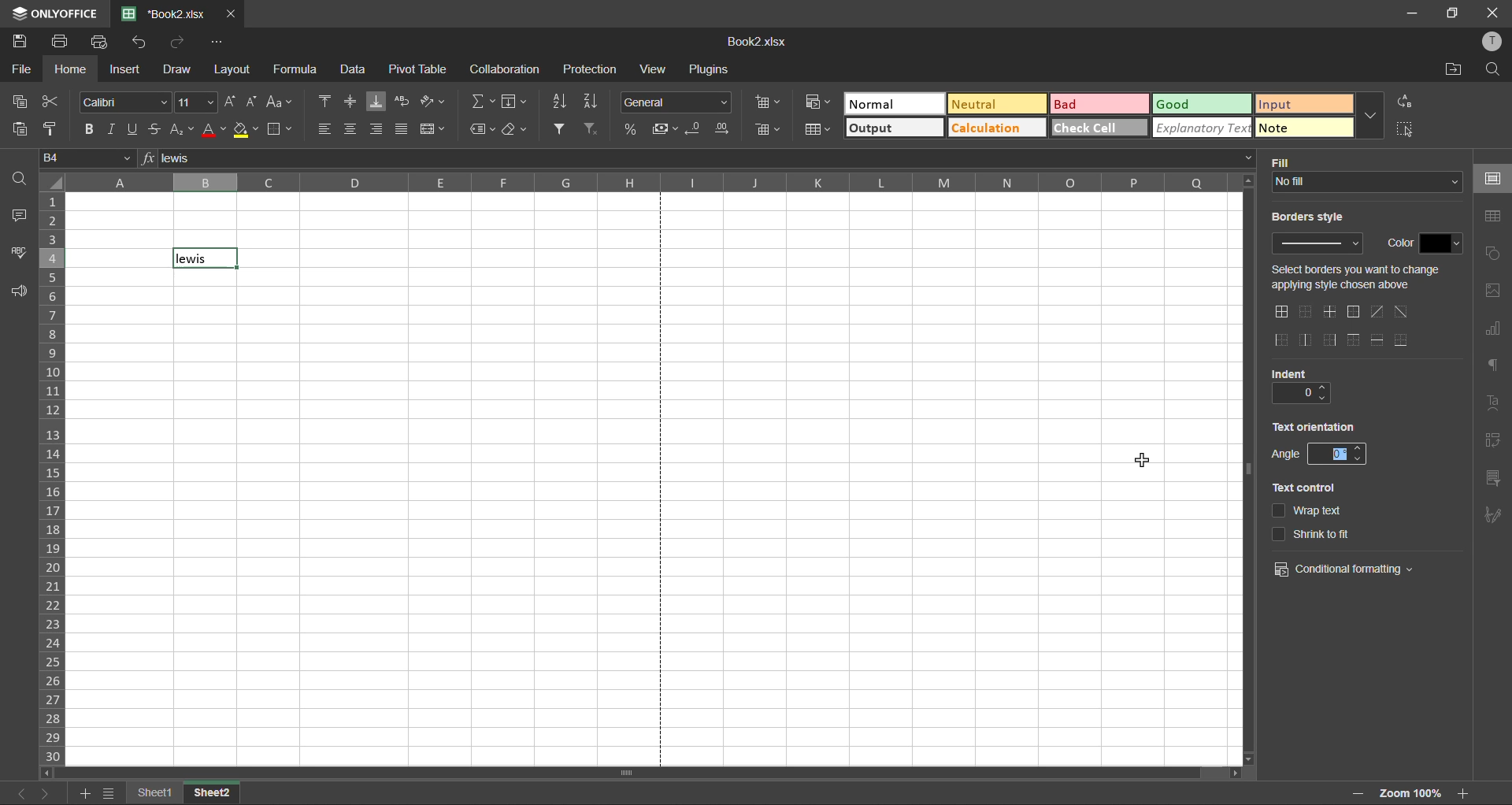 This screenshot has width=1512, height=805. Describe the element at coordinates (354, 128) in the screenshot. I see `align center` at that location.